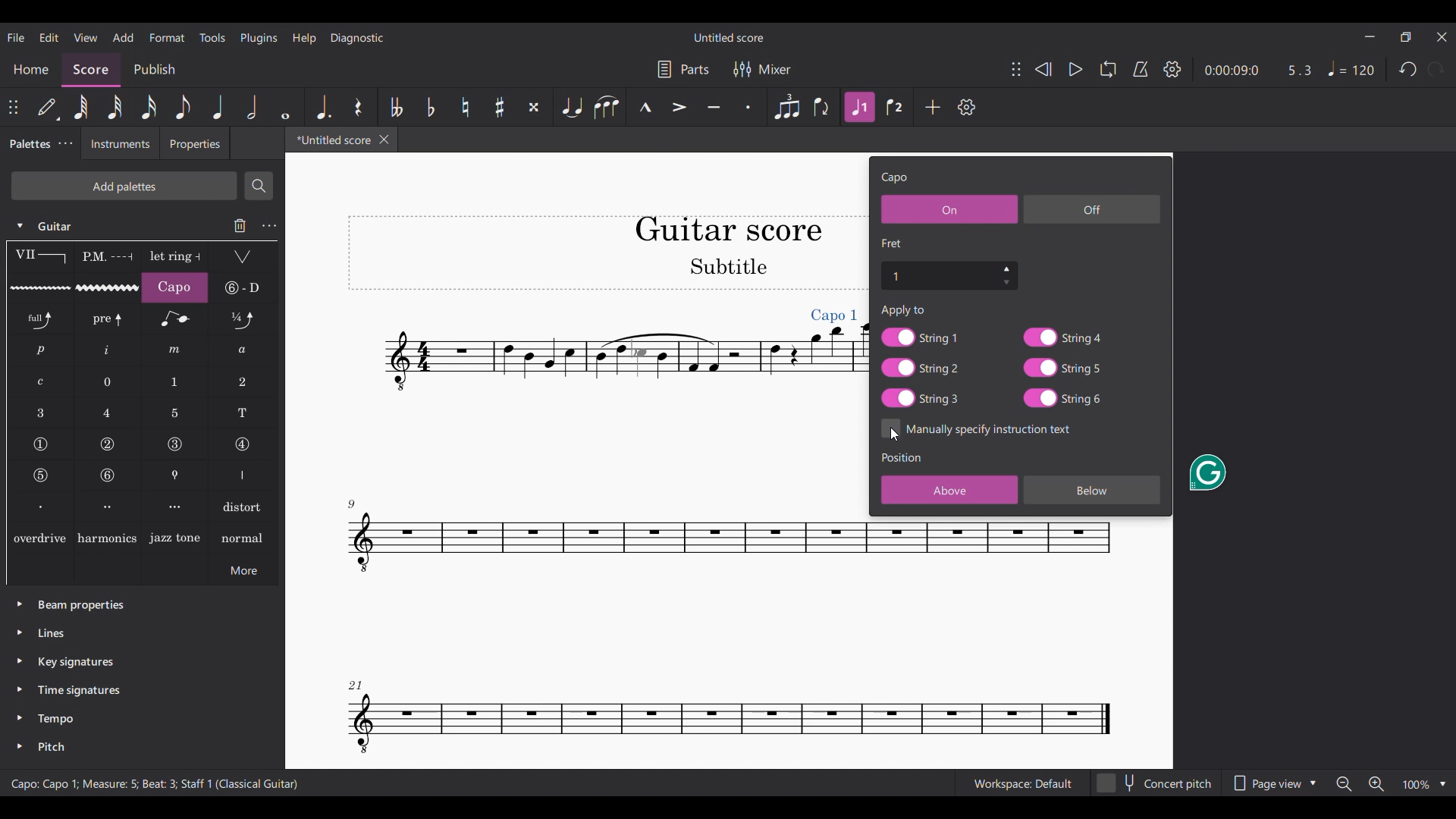  I want to click on Fret number settings, so click(949, 275).